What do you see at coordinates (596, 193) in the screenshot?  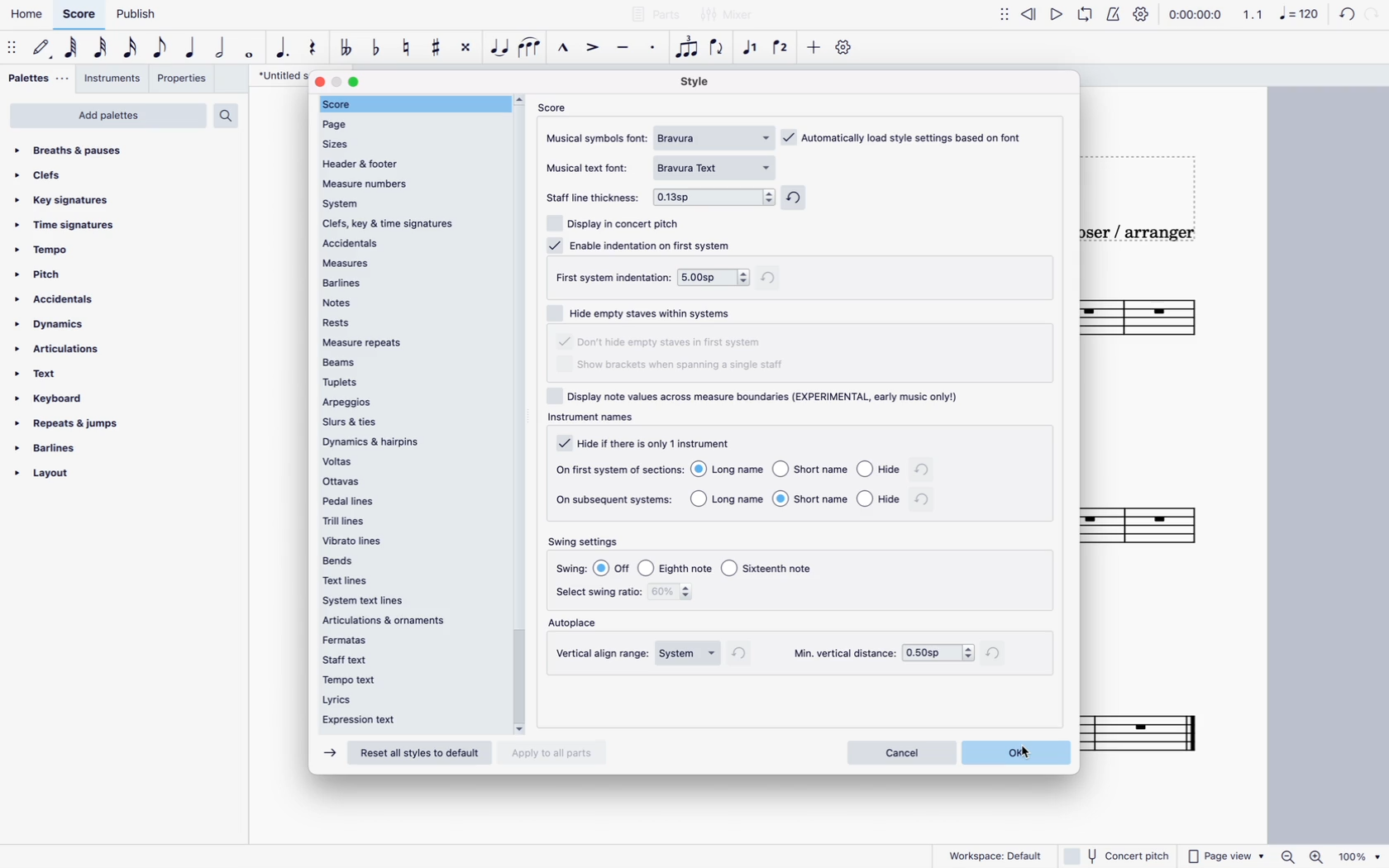 I see `staff line thickness` at bounding box center [596, 193].